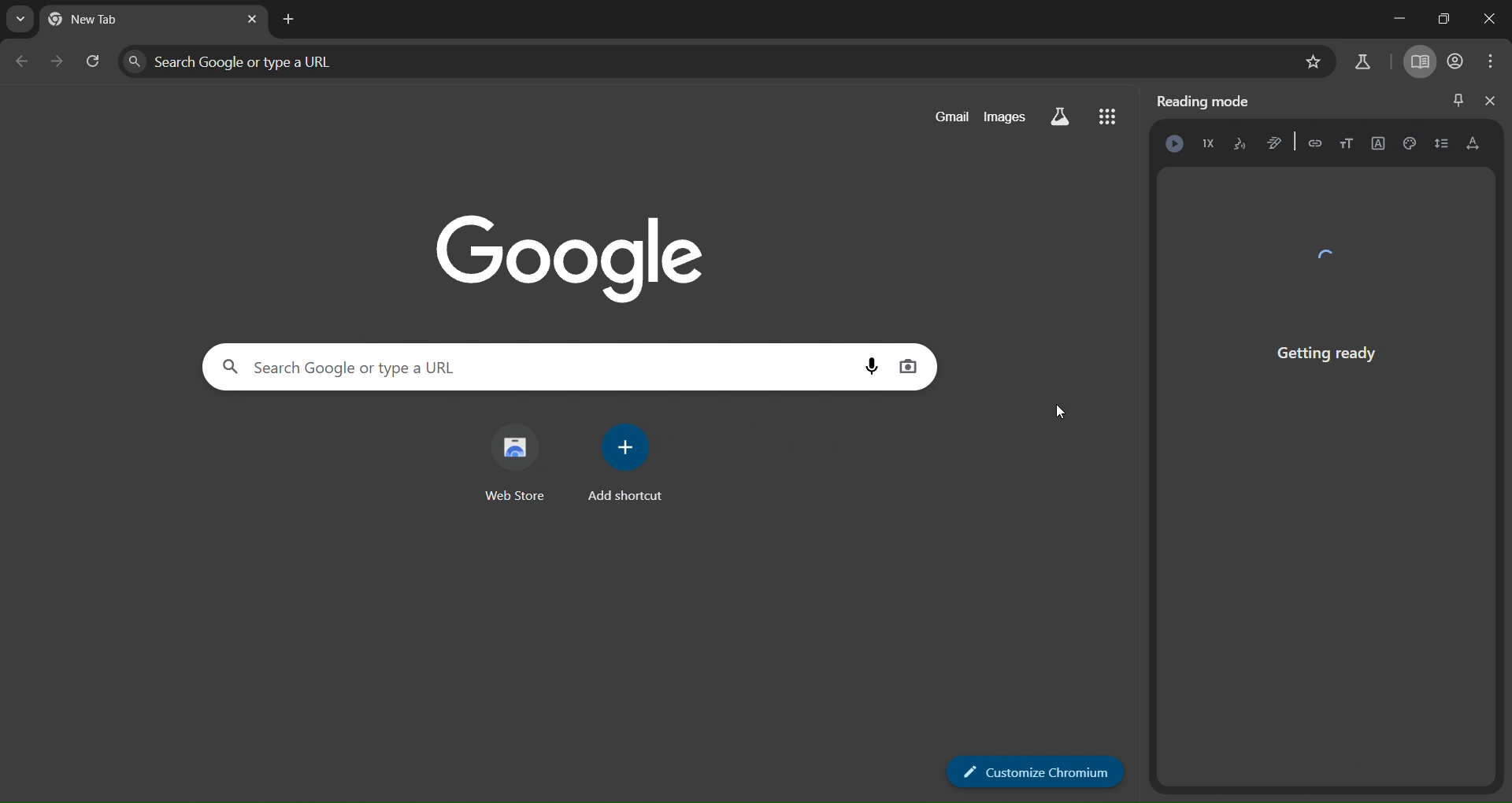 This screenshot has height=803, width=1512. What do you see at coordinates (1110, 116) in the screenshot?
I see `google apps` at bounding box center [1110, 116].